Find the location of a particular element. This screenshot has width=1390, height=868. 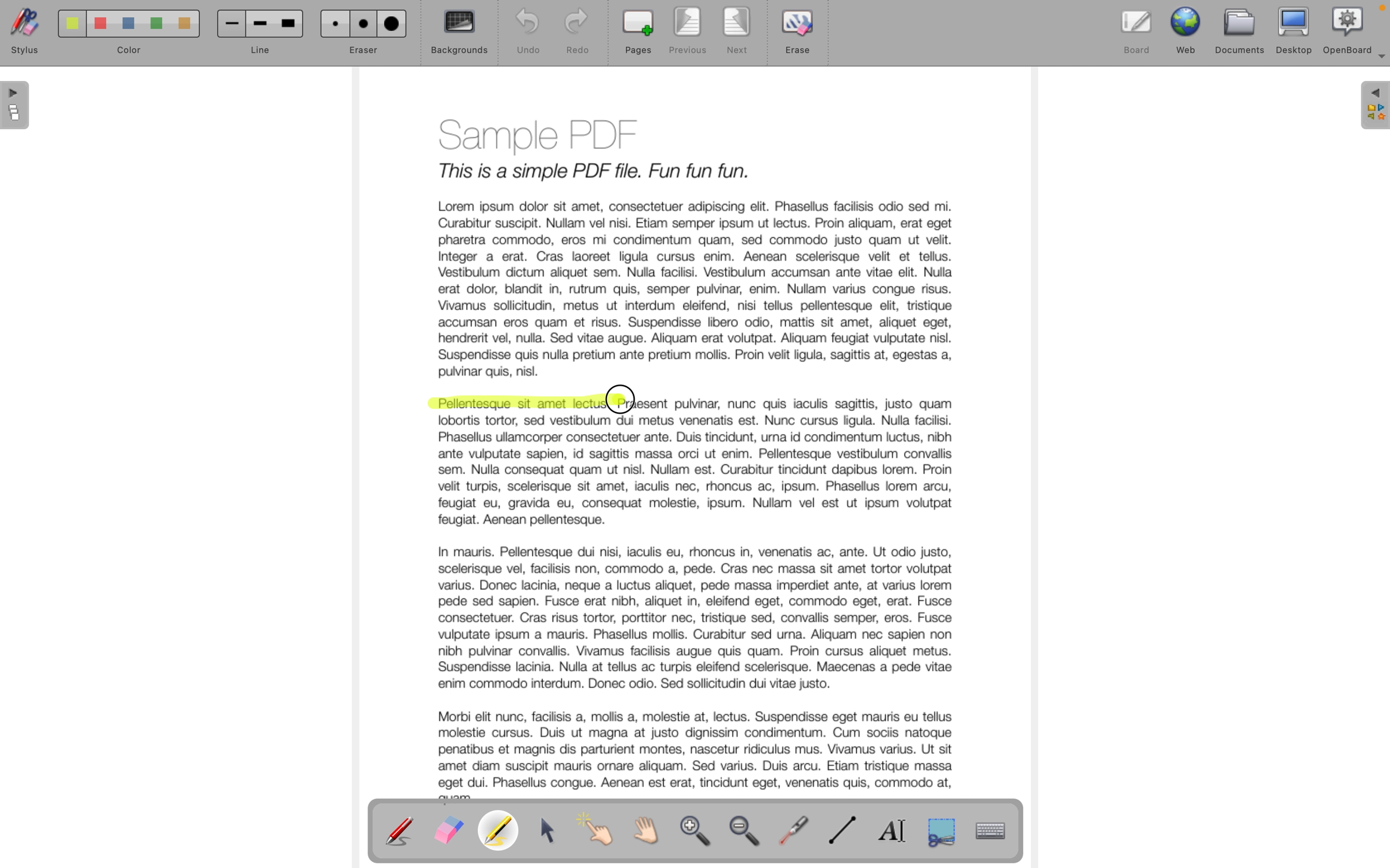

display virtual keyboard is located at coordinates (1001, 831).